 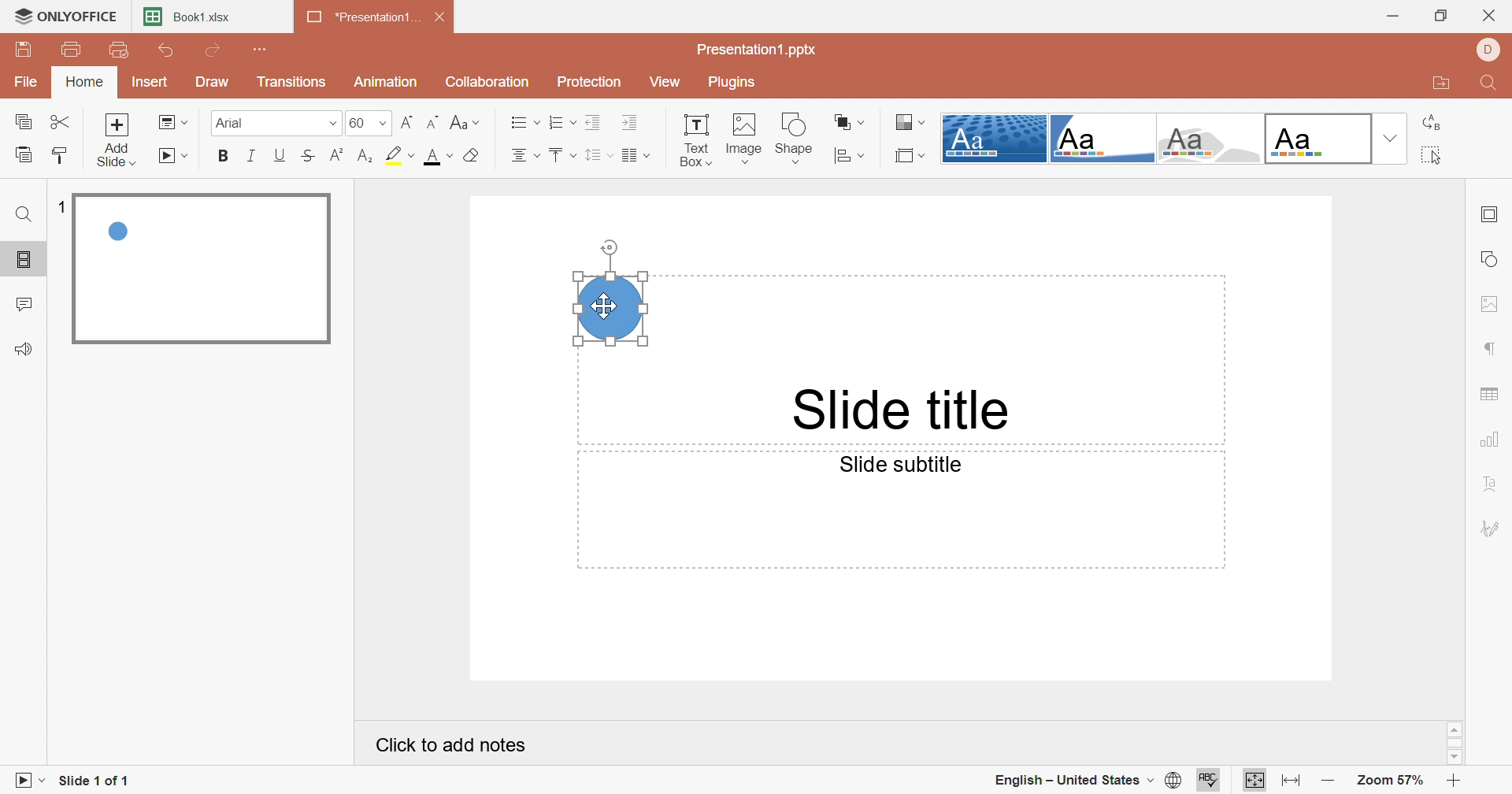 I want to click on Cursor, so click(x=605, y=306).